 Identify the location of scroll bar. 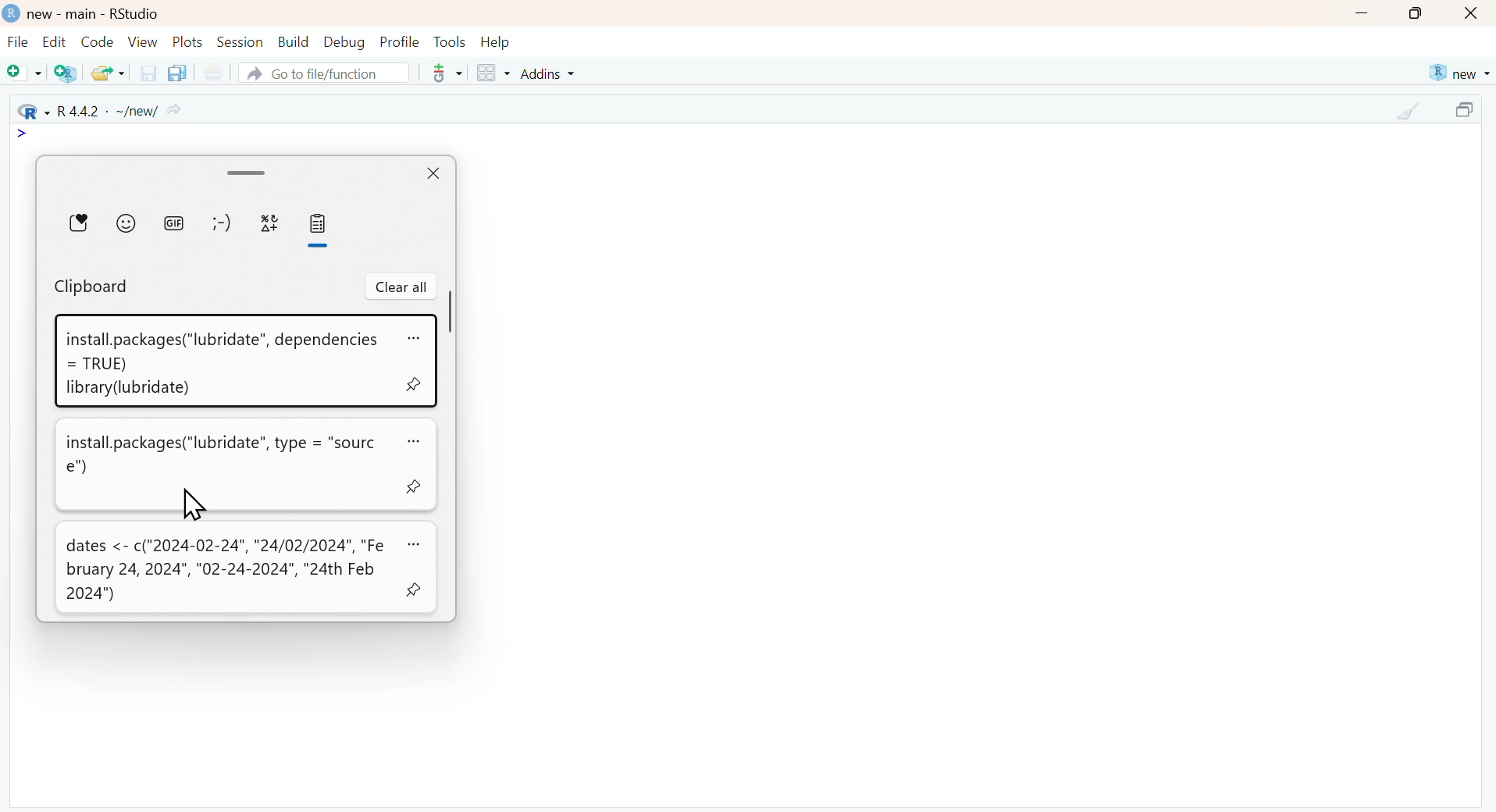
(248, 172).